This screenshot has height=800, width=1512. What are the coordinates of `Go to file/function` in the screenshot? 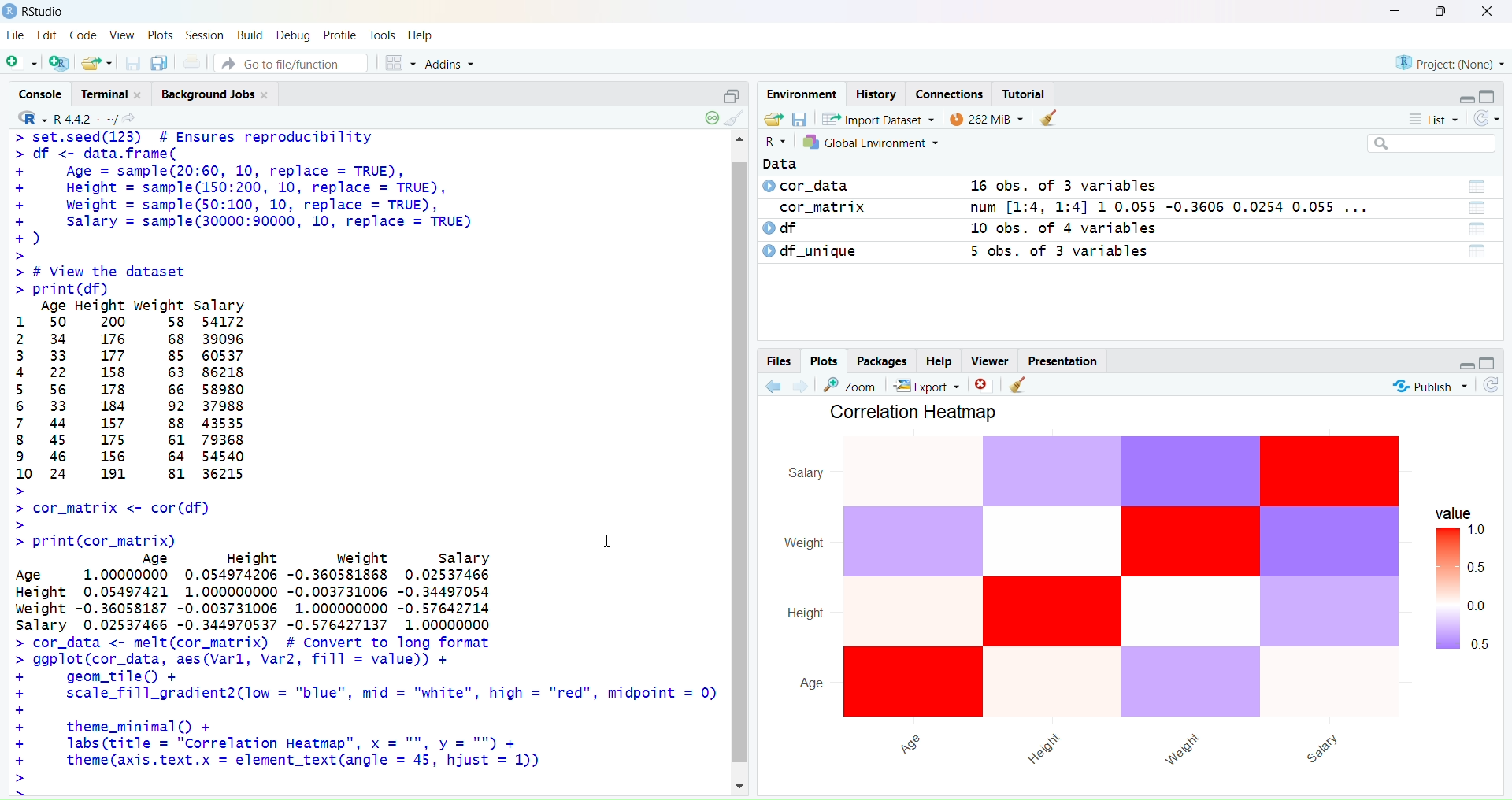 It's located at (290, 64).